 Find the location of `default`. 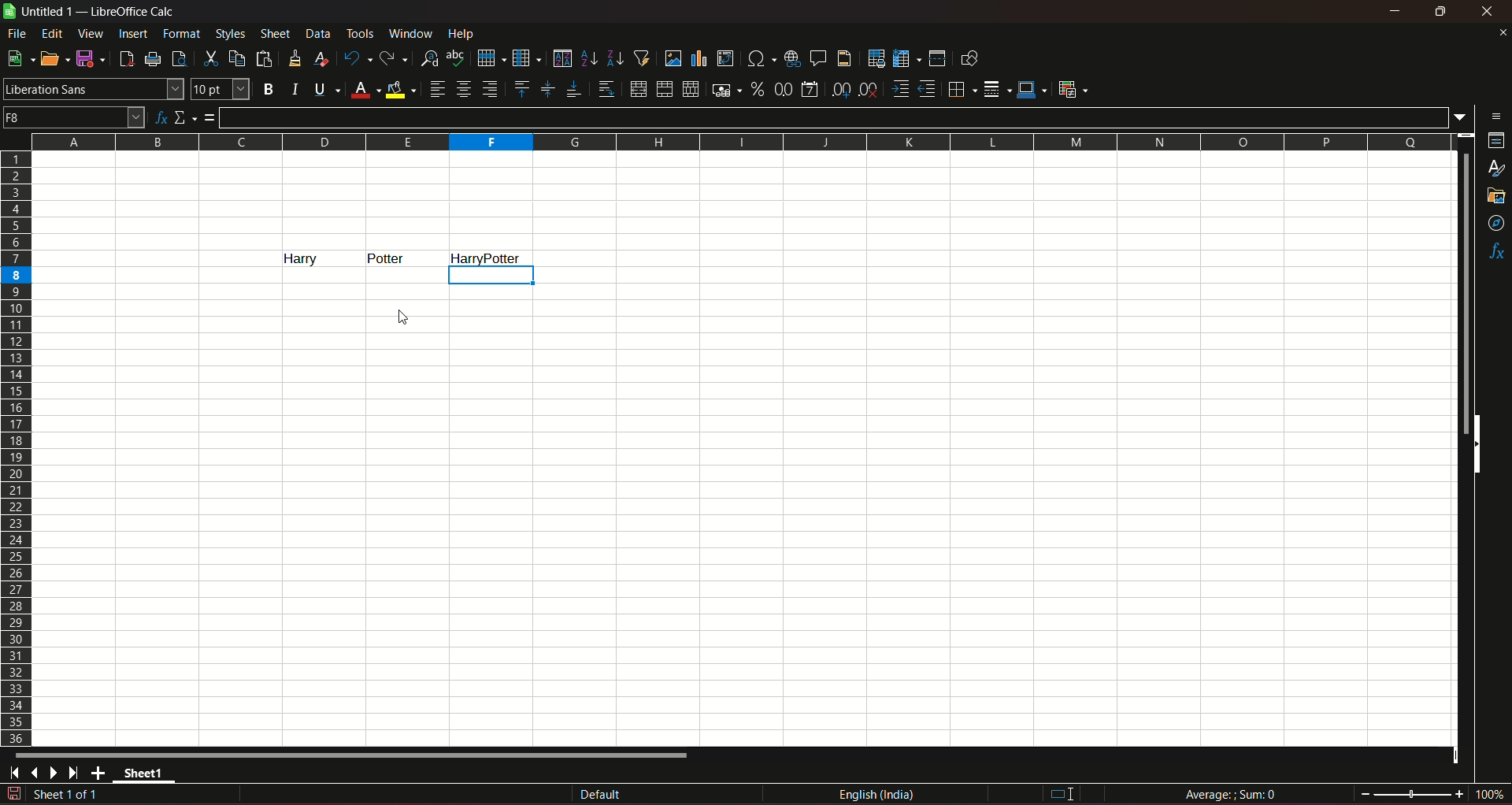

default is located at coordinates (601, 796).